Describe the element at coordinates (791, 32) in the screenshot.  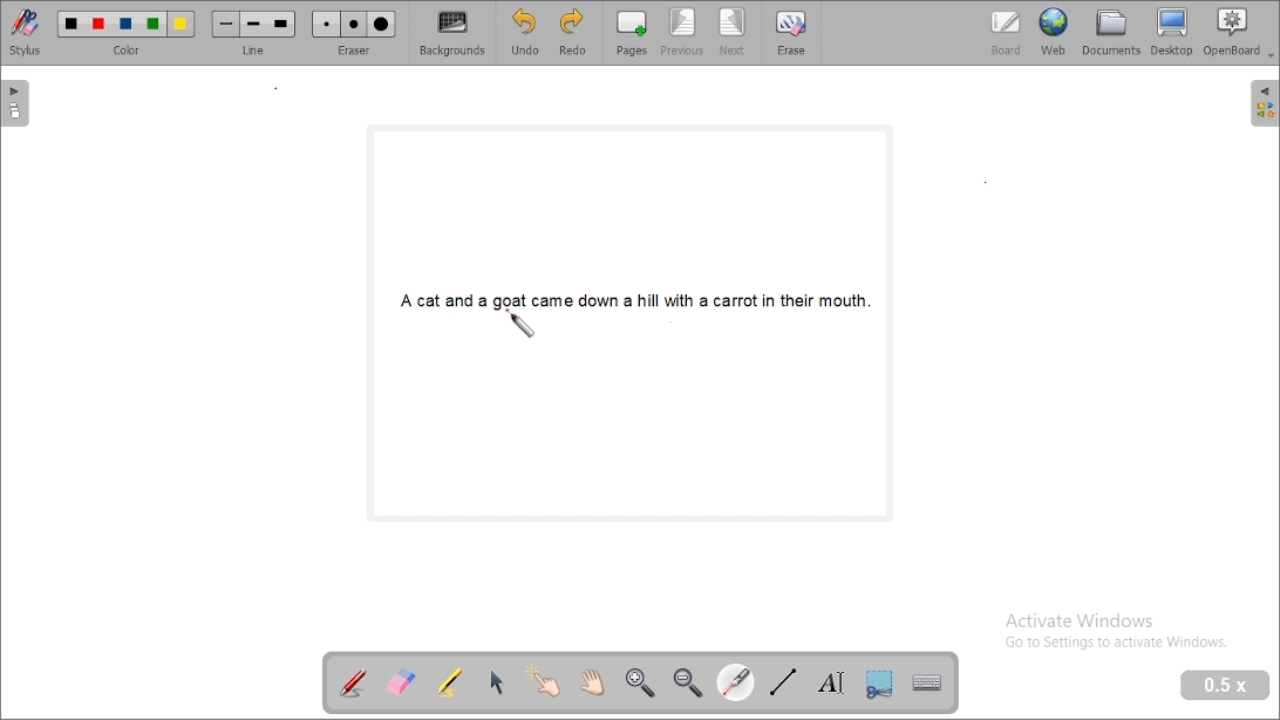
I see `erase` at that location.